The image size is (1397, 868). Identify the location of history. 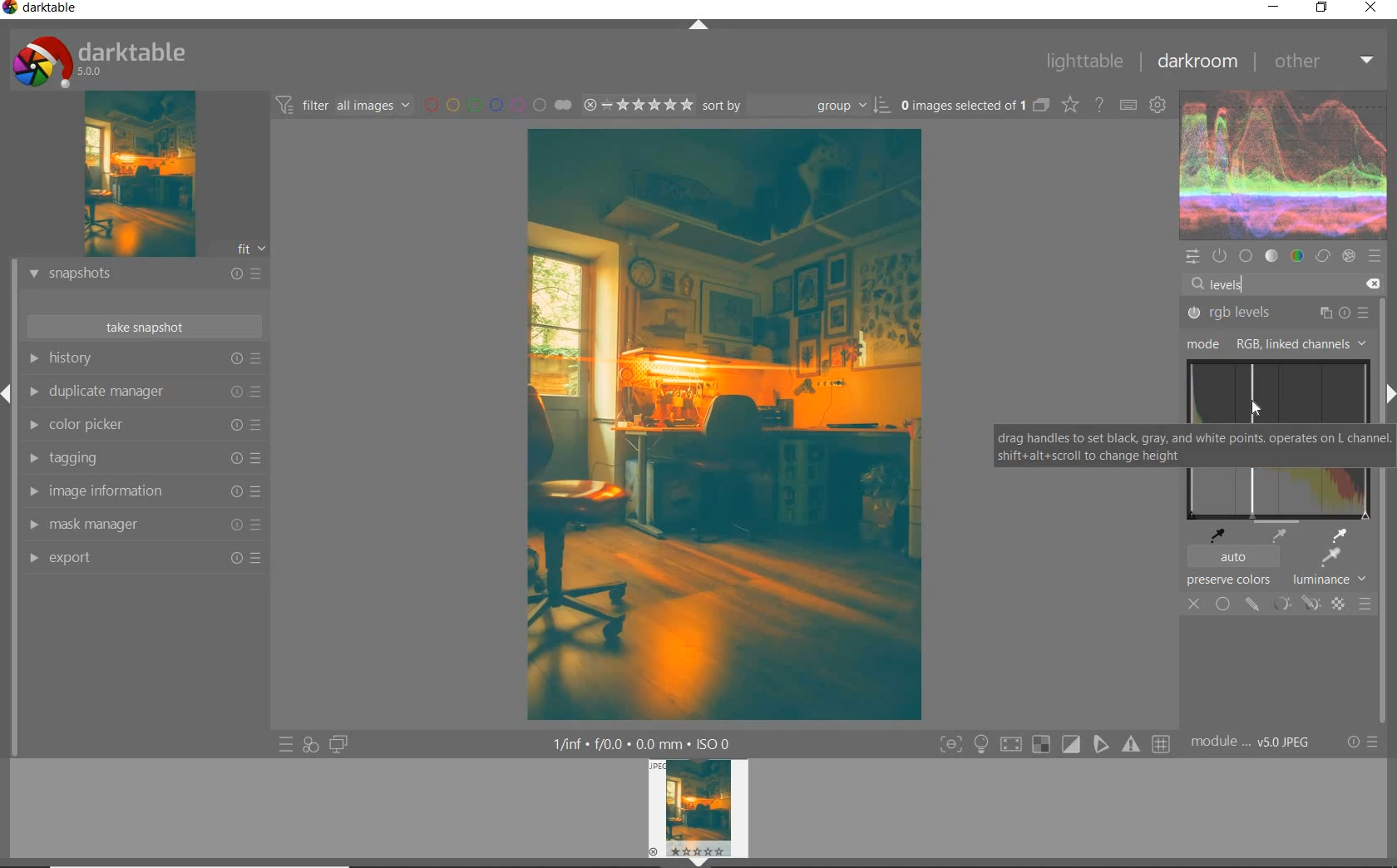
(144, 358).